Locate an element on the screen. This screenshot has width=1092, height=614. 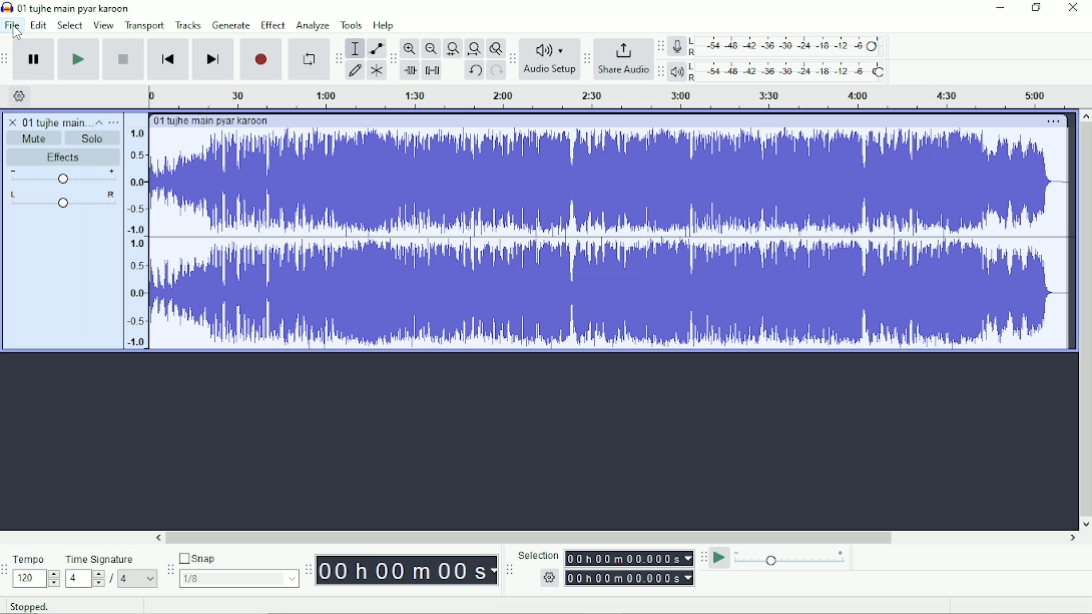
Selection tool is located at coordinates (355, 49).